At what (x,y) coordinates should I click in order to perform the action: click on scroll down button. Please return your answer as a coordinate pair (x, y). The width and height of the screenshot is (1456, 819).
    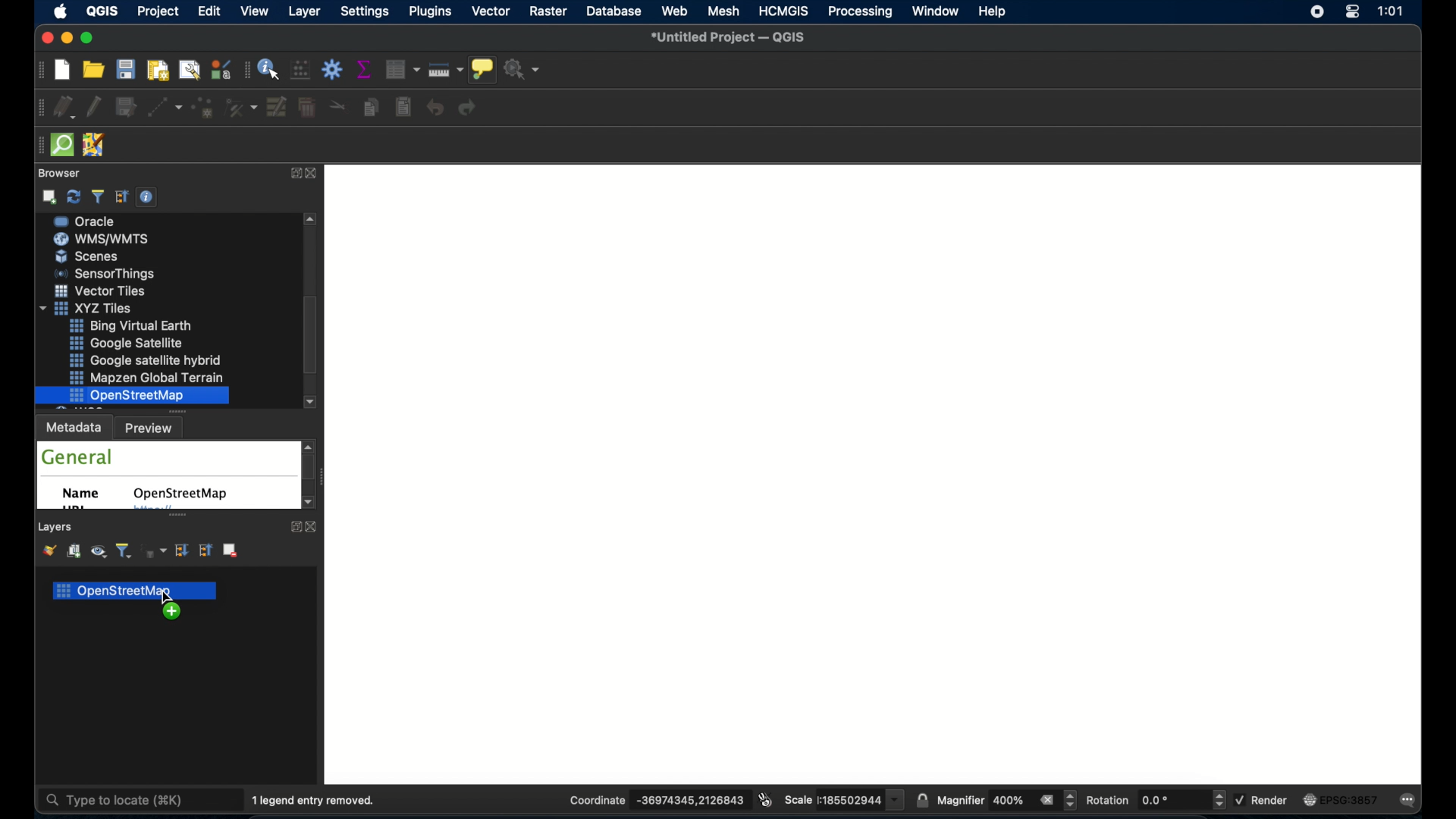
    Looking at the image, I should click on (309, 402).